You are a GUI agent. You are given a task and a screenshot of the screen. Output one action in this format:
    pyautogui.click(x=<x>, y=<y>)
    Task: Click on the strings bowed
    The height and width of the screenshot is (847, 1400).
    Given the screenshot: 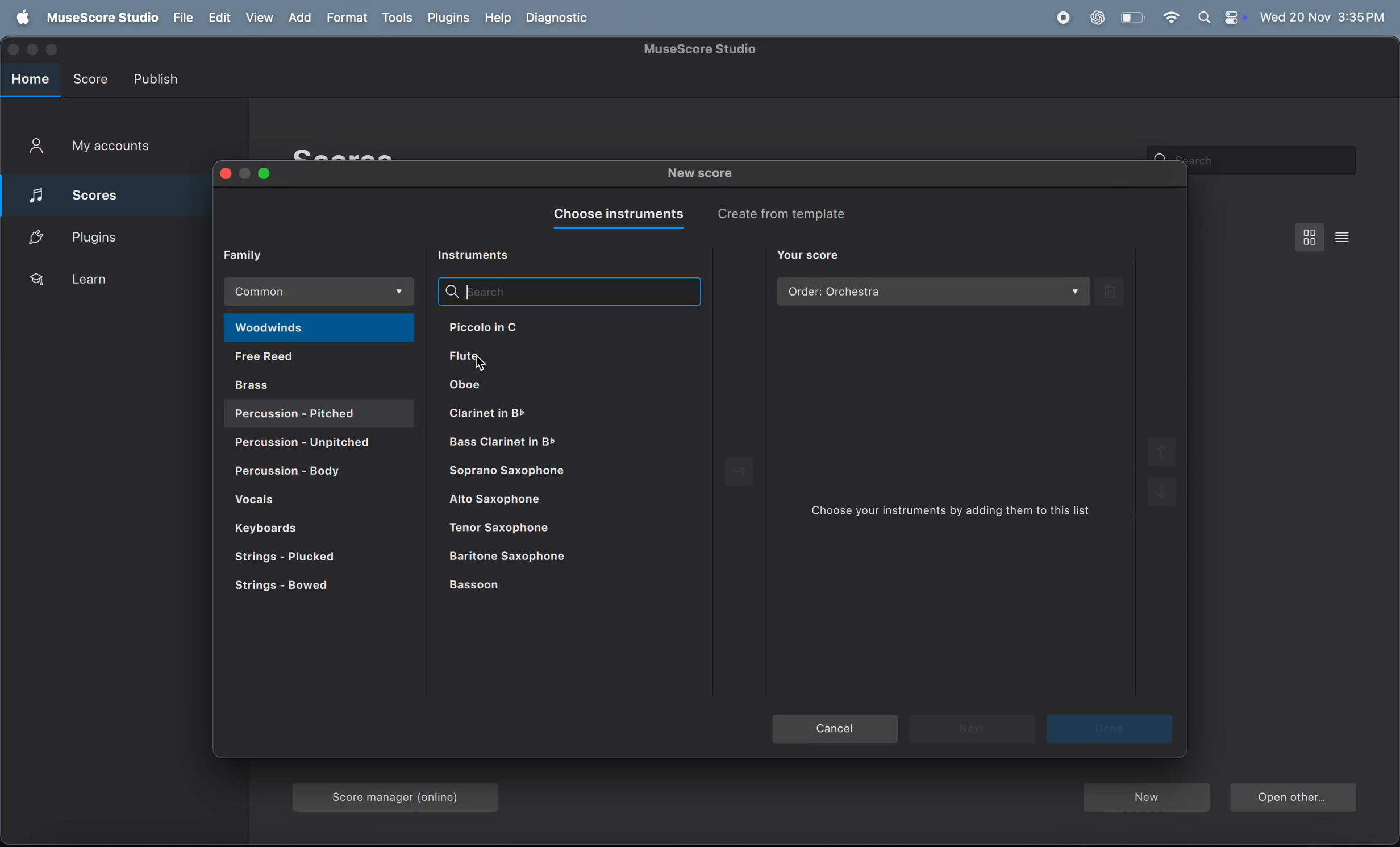 What is the action you would take?
    pyautogui.click(x=301, y=589)
    